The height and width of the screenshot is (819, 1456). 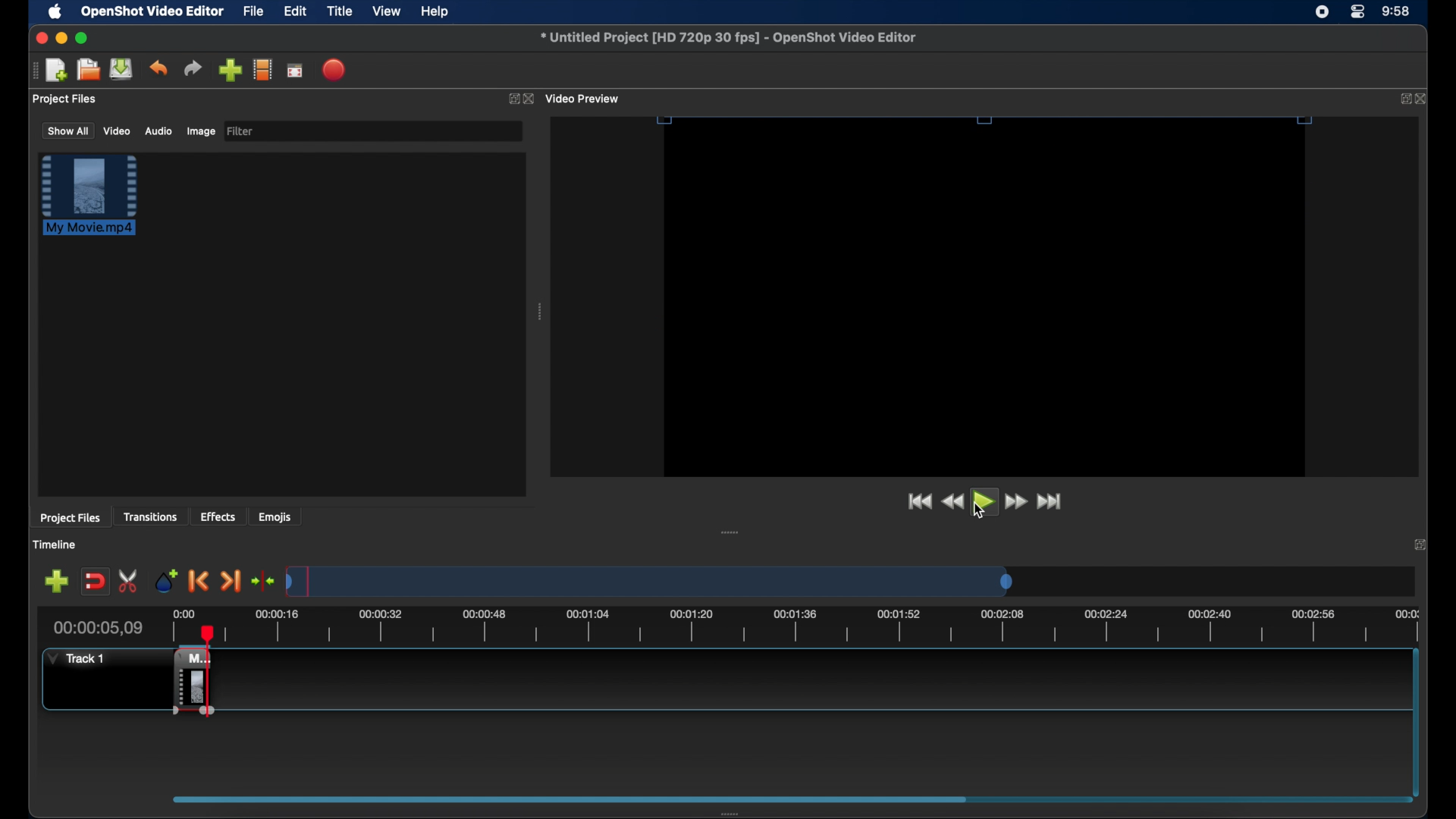 What do you see at coordinates (99, 628) in the screenshot?
I see `current time indicator` at bounding box center [99, 628].